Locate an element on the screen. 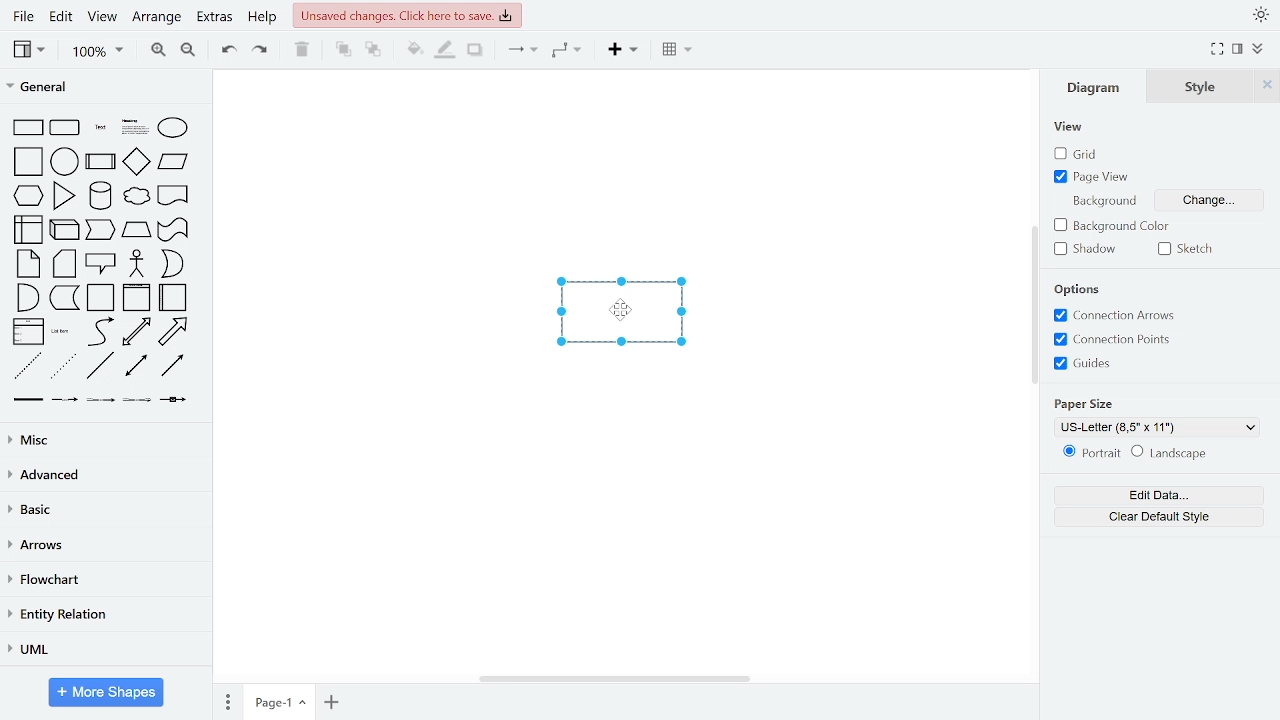 The height and width of the screenshot is (720, 1280). waypoints is located at coordinates (569, 52).